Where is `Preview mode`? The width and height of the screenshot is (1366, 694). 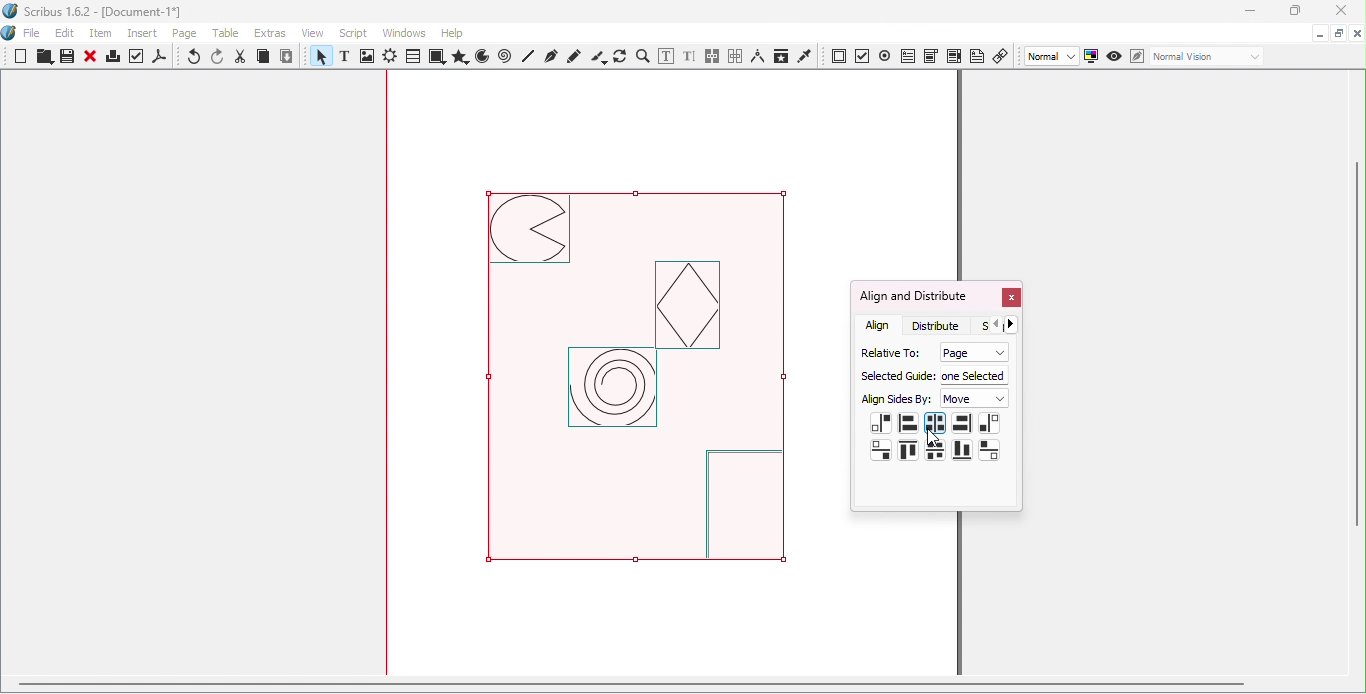 Preview mode is located at coordinates (1115, 57).